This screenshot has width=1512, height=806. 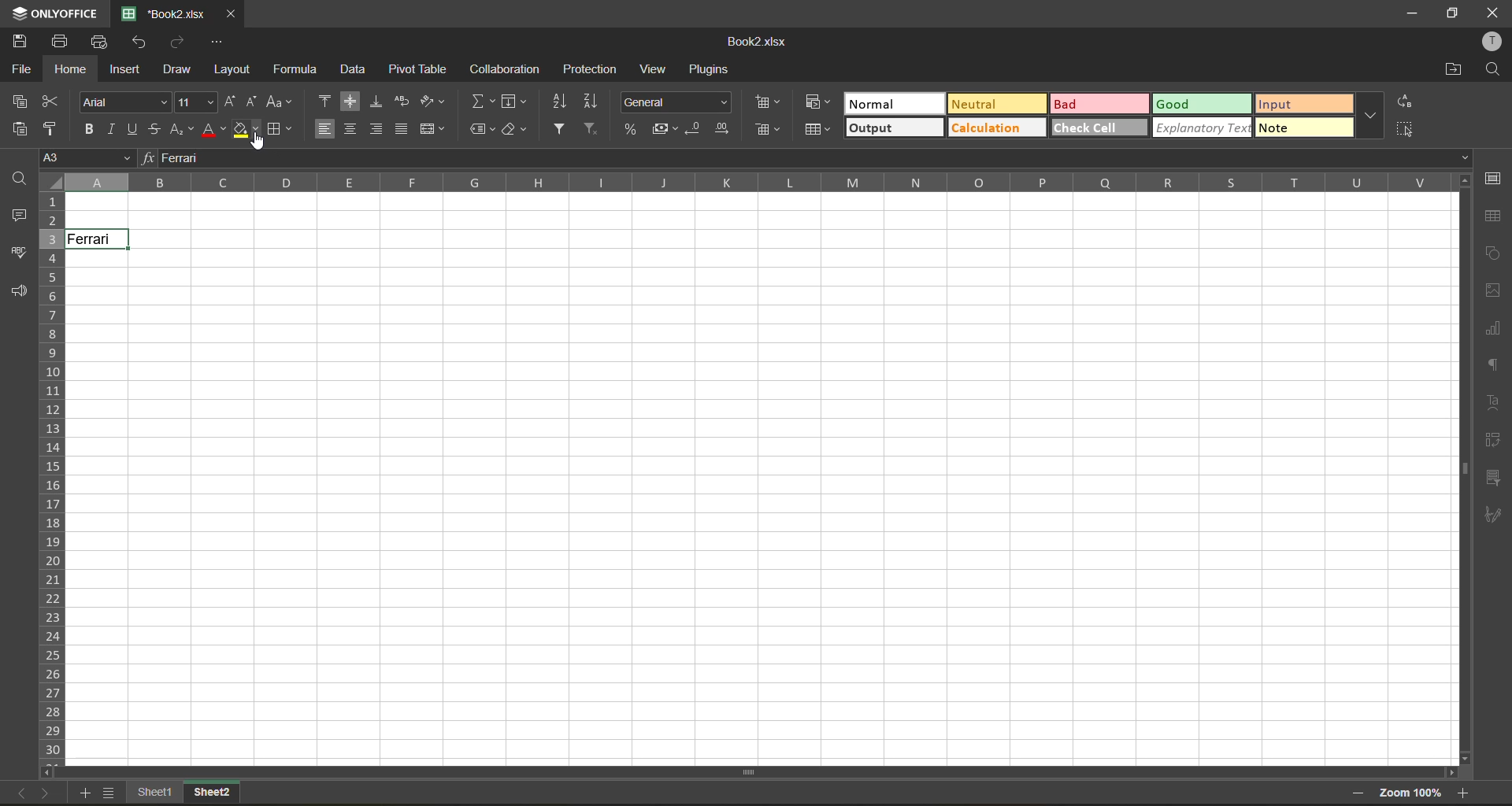 I want to click on protection, so click(x=587, y=68).